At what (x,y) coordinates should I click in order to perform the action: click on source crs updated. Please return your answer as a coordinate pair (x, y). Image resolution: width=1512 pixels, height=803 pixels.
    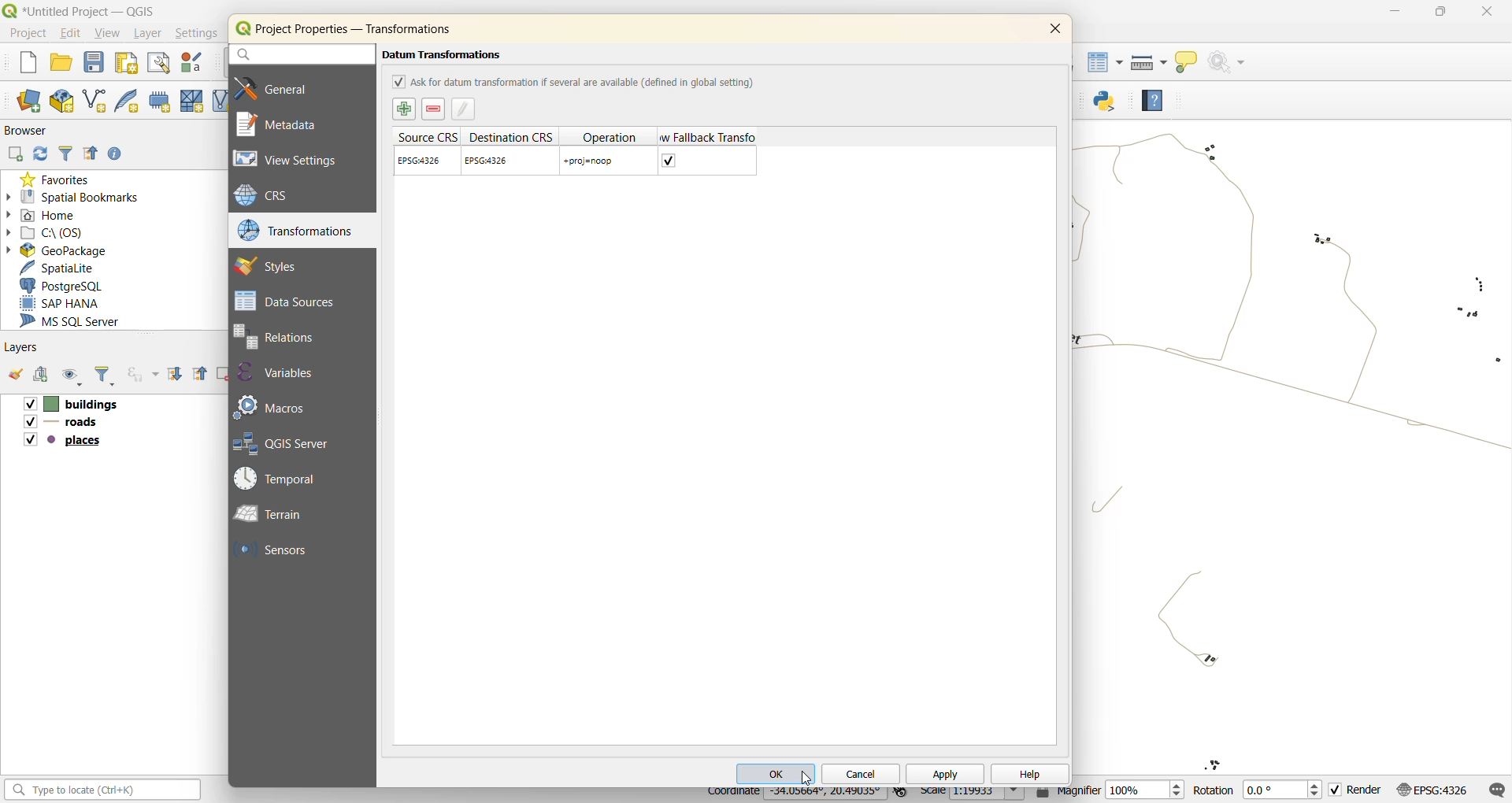
    Looking at the image, I should click on (422, 161).